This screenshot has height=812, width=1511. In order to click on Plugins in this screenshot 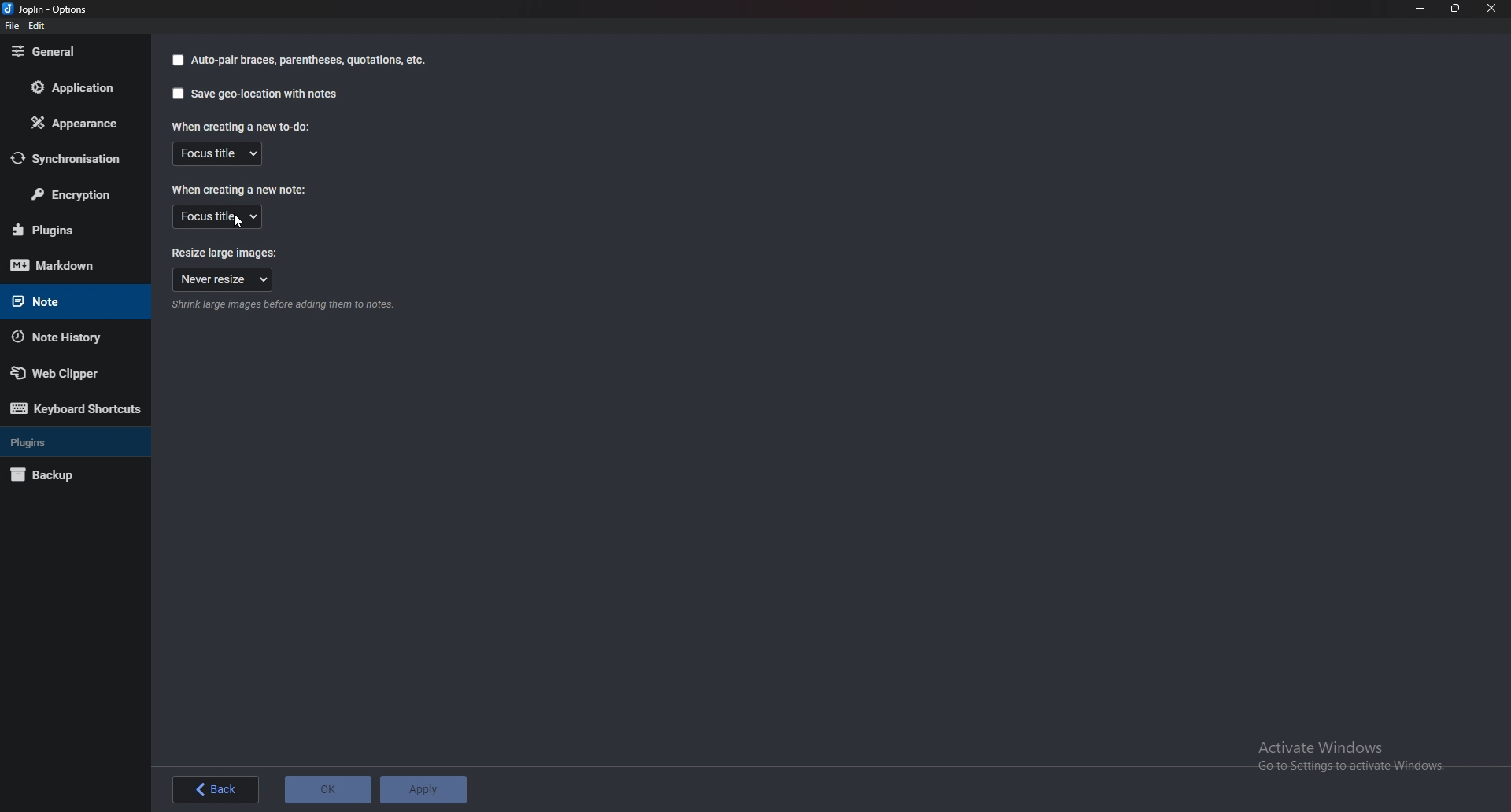, I will do `click(66, 230)`.